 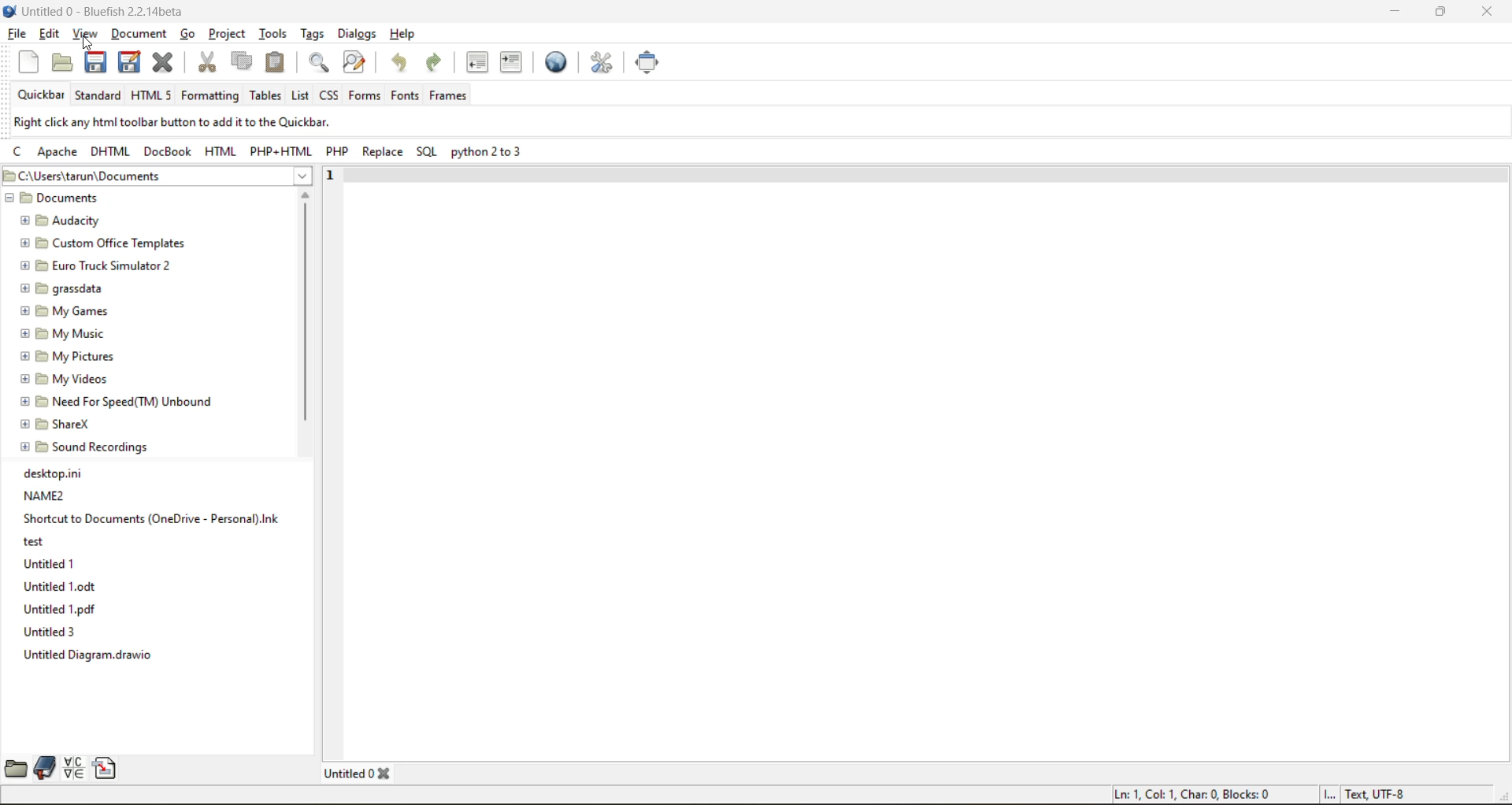 What do you see at coordinates (210, 95) in the screenshot?
I see `formatting` at bounding box center [210, 95].